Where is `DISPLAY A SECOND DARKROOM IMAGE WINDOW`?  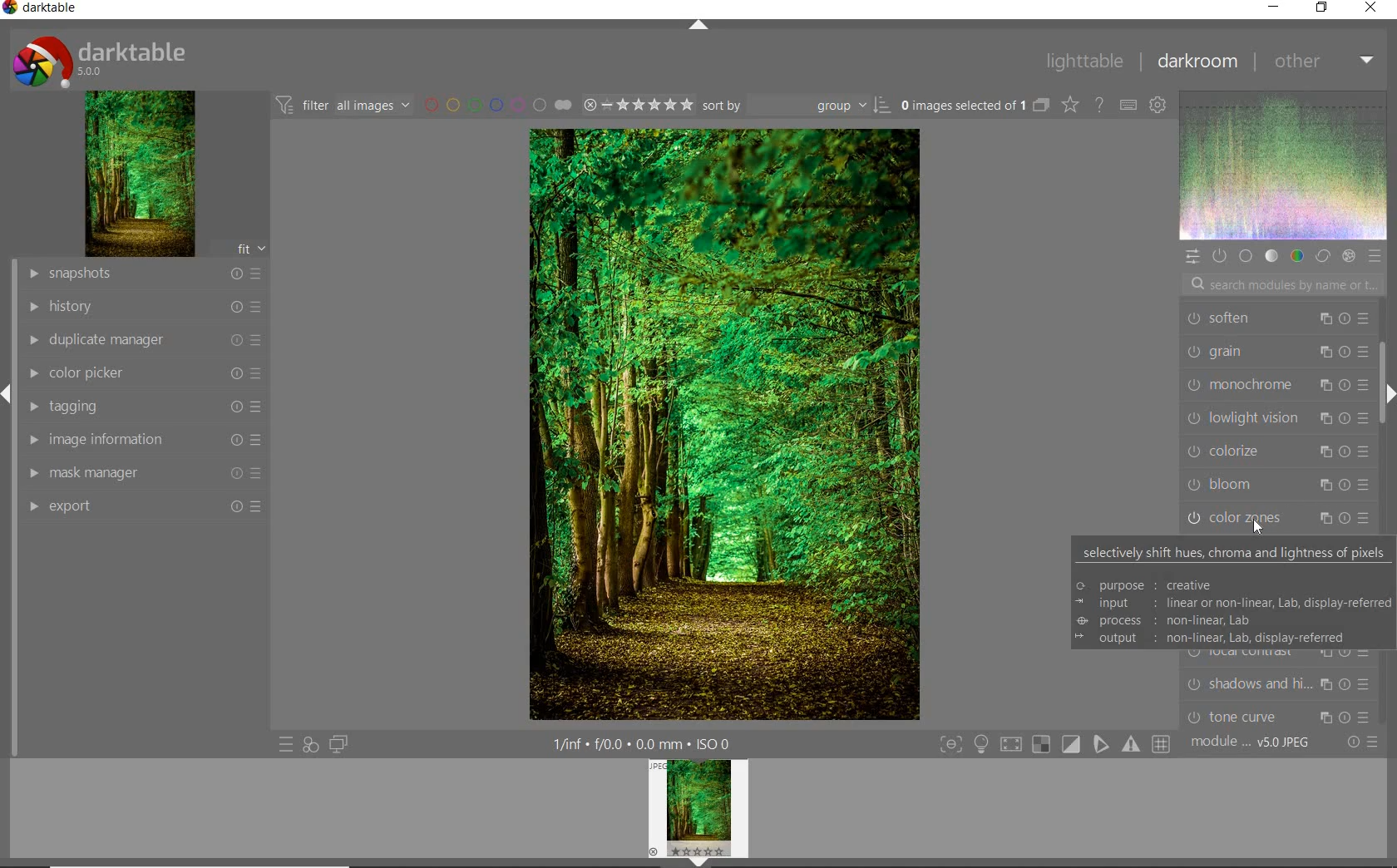 DISPLAY A SECOND DARKROOM IMAGE WINDOW is located at coordinates (338, 747).